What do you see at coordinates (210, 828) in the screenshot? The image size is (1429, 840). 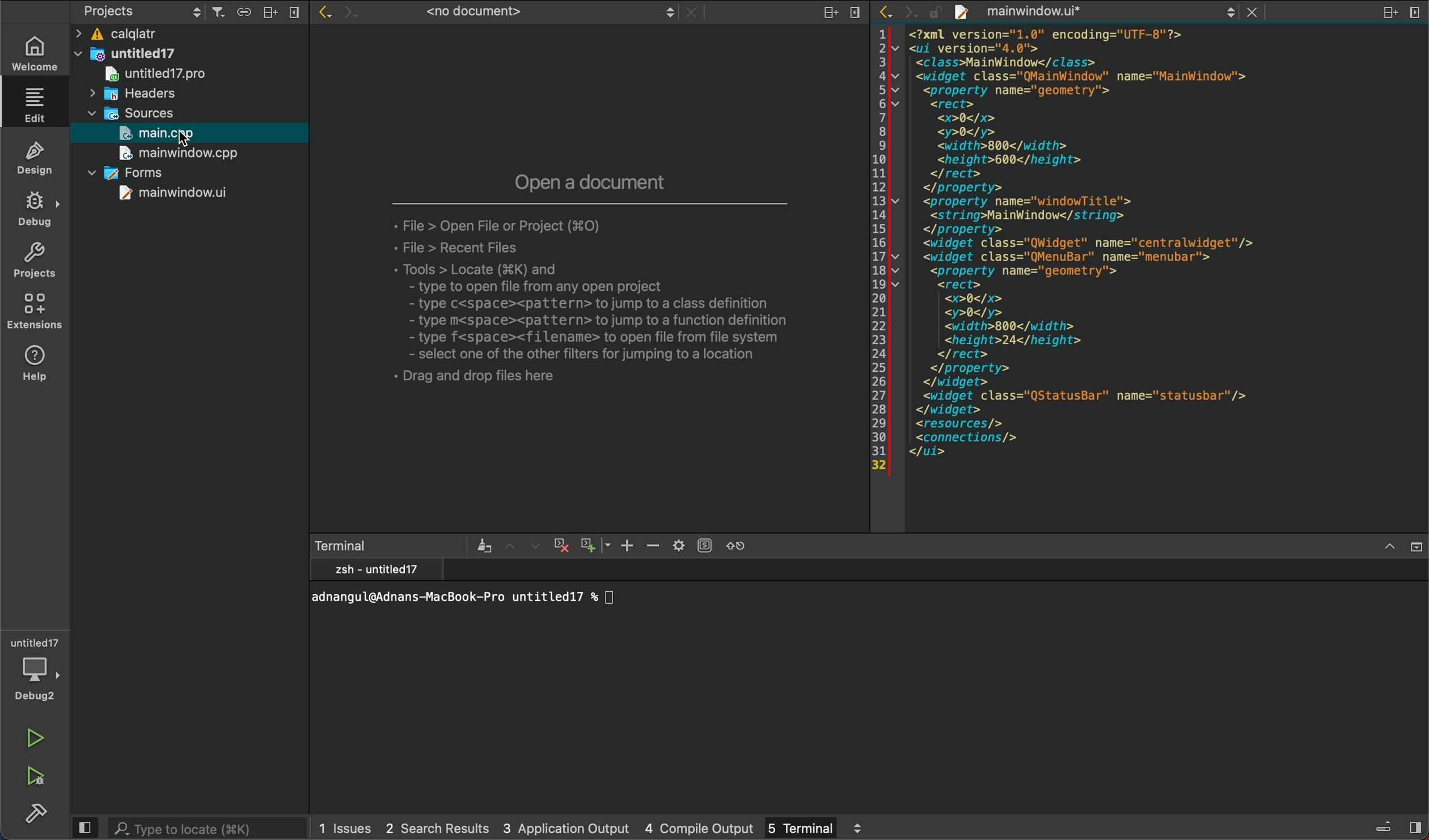 I see `search` at bounding box center [210, 828].